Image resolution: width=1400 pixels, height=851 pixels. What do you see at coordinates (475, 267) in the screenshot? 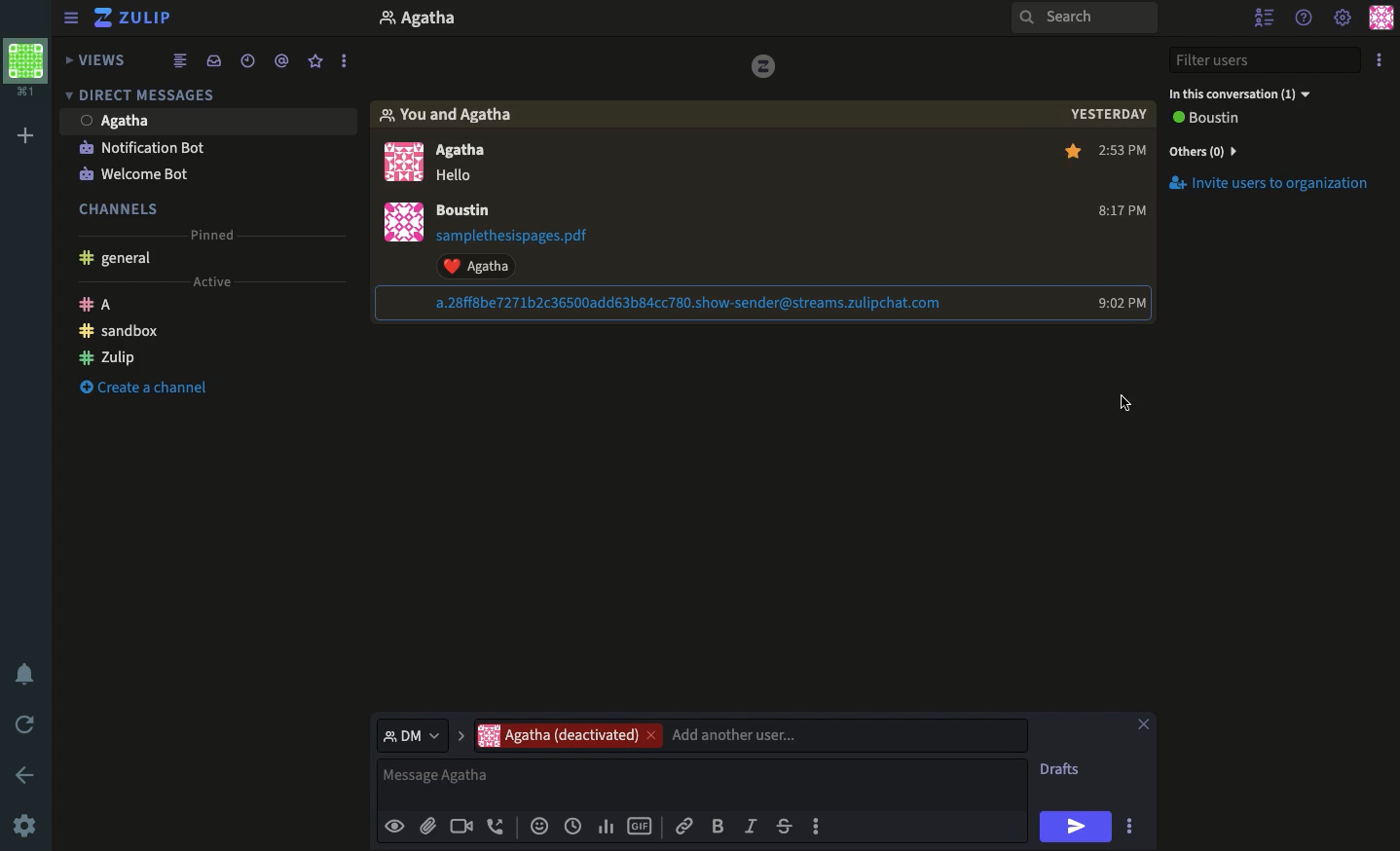
I see `Reaction` at bounding box center [475, 267].